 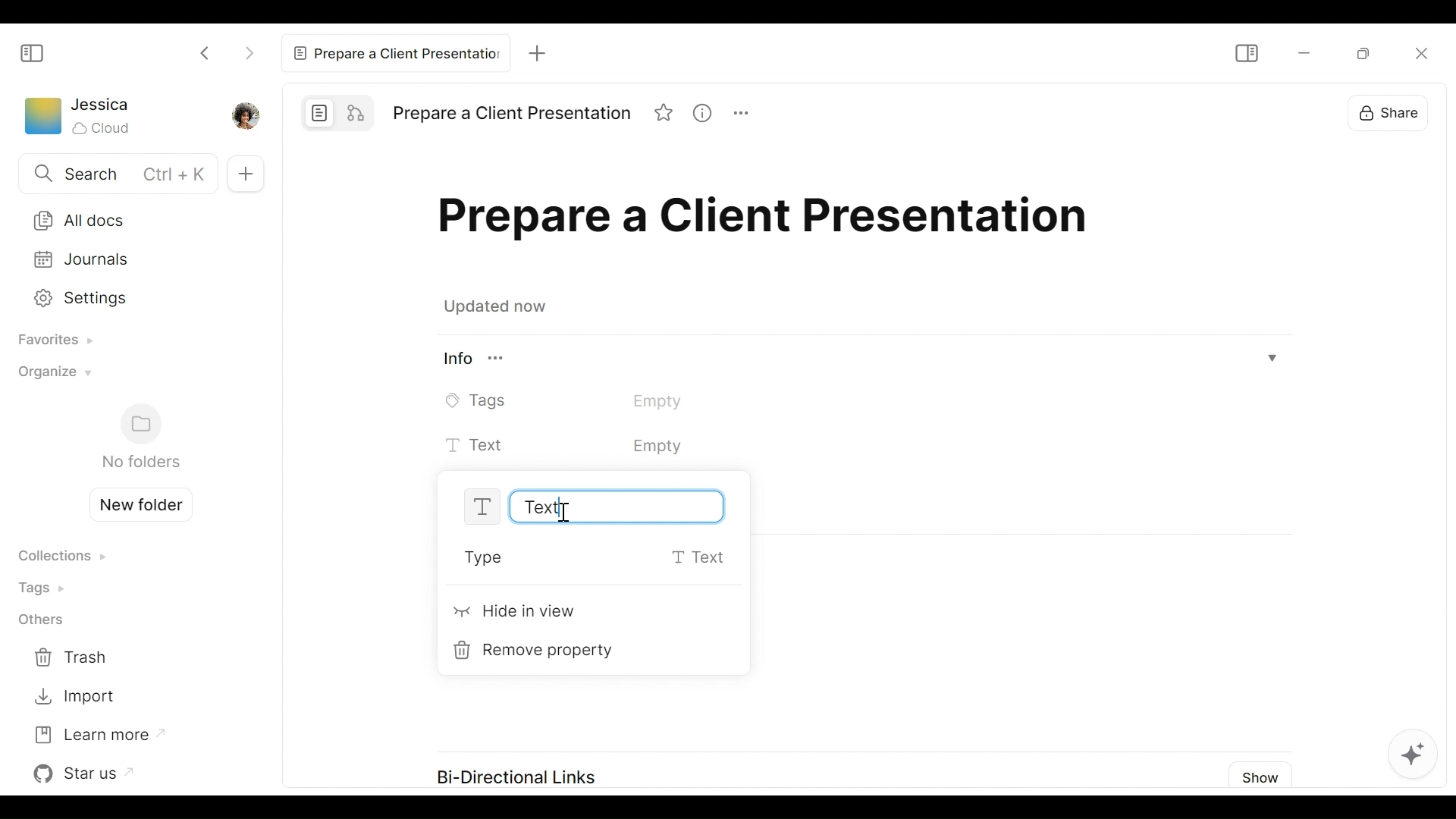 I want to click on Type, so click(x=601, y=559).